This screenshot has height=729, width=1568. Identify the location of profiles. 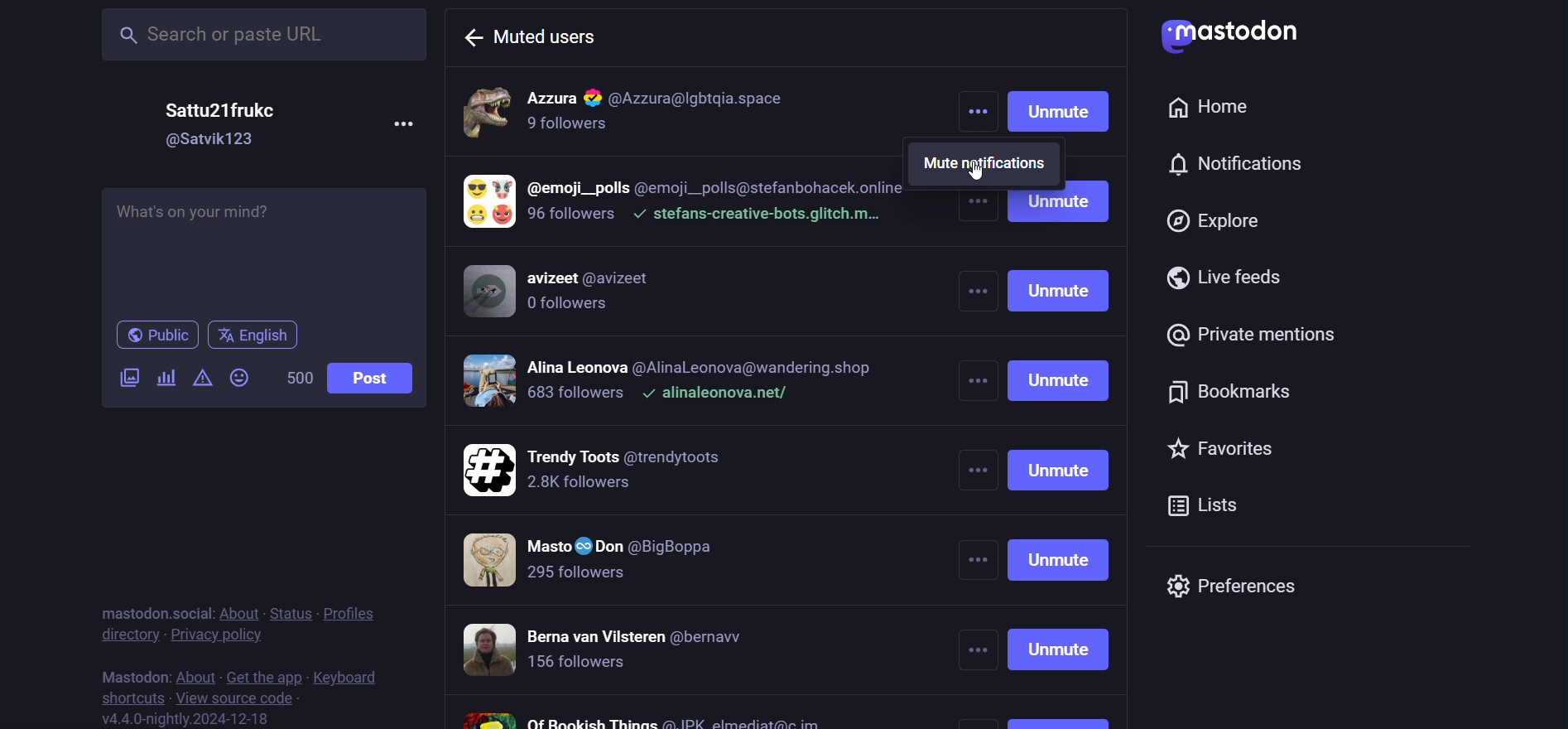
(349, 616).